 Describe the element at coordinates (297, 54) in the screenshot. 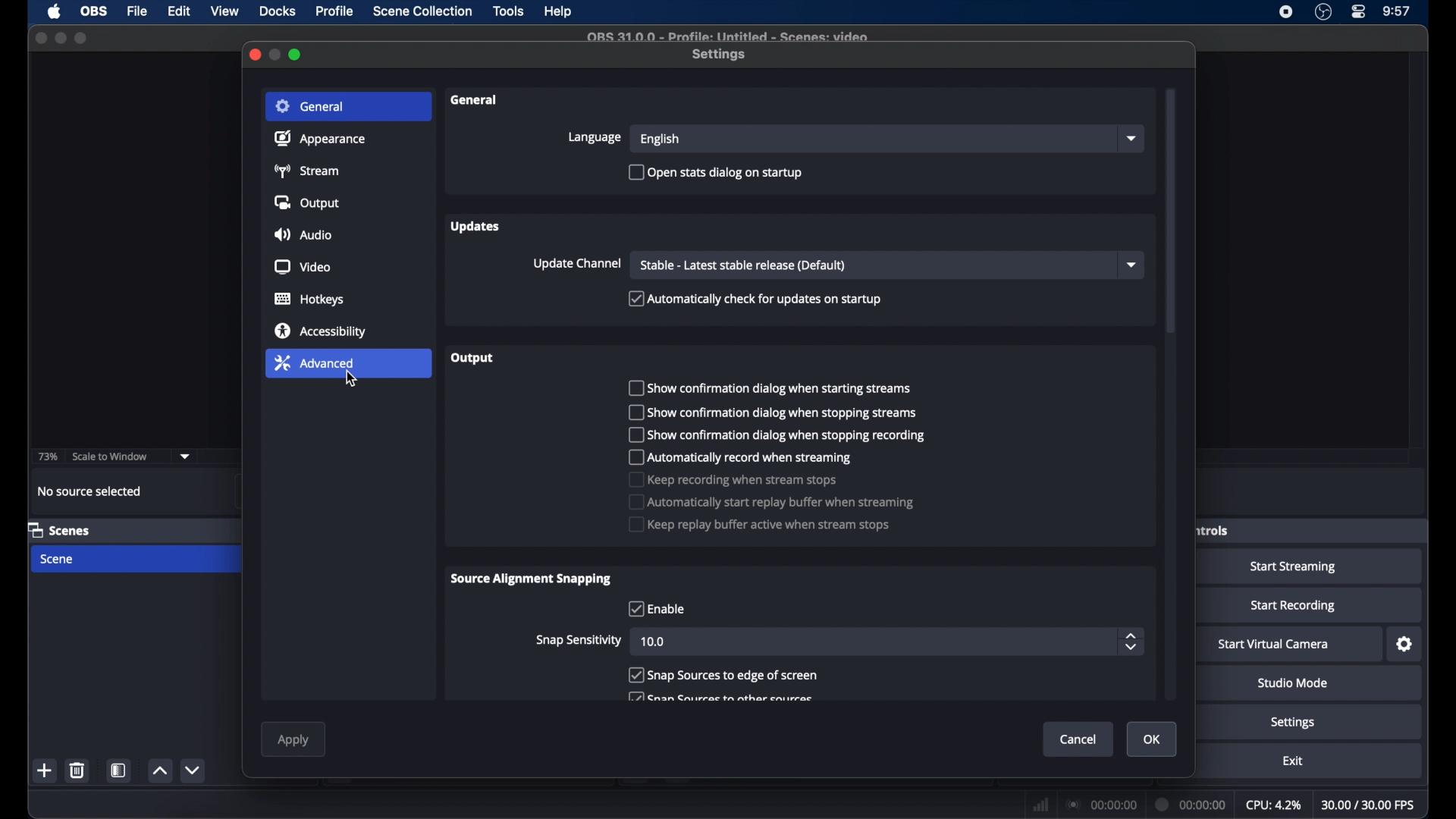

I see `maximize` at that location.